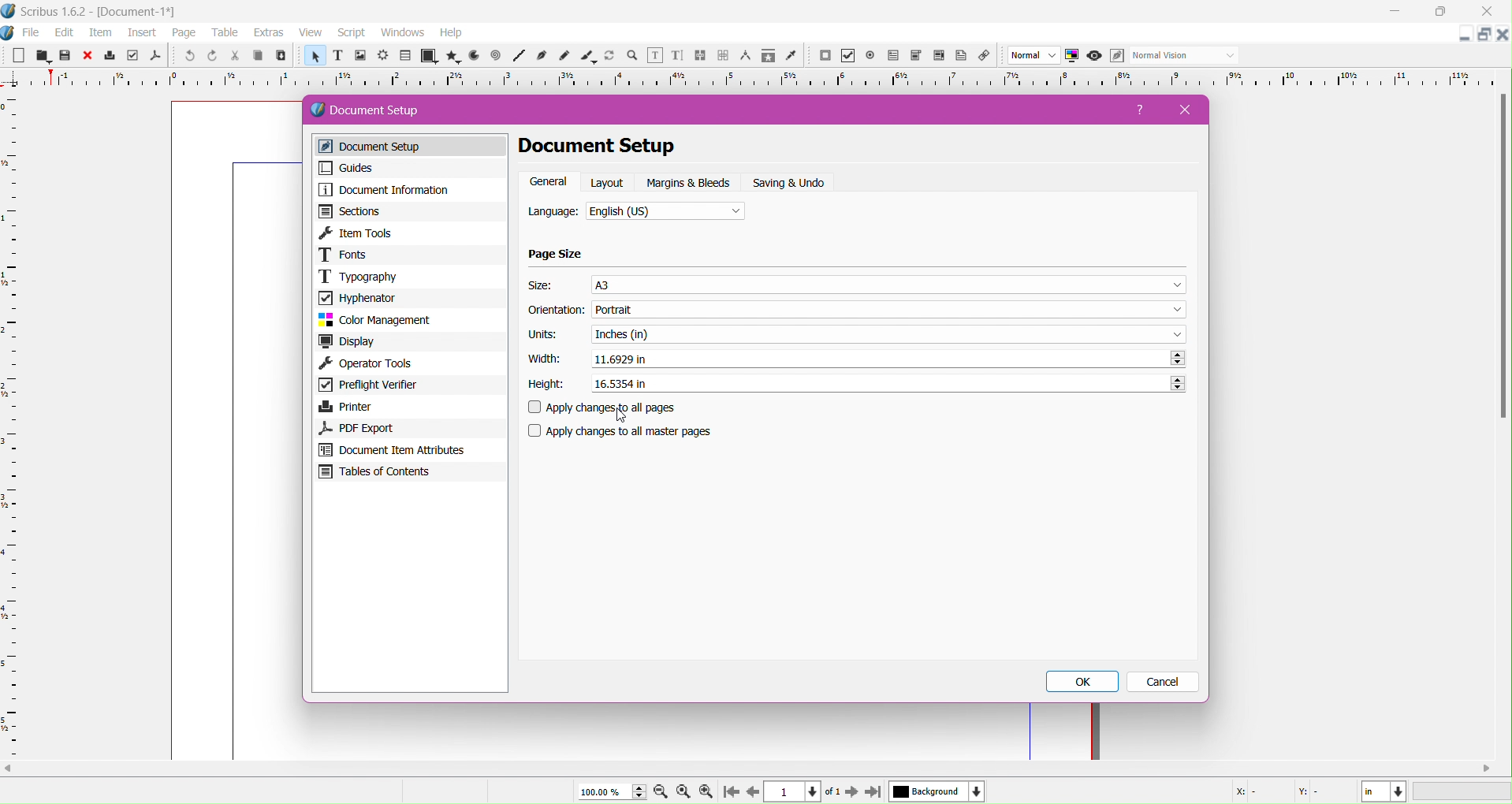 The height and width of the screenshot is (804, 1512). What do you see at coordinates (654, 56) in the screenshot?
I see `edit contents of frames` at bounding box center [654, 56].